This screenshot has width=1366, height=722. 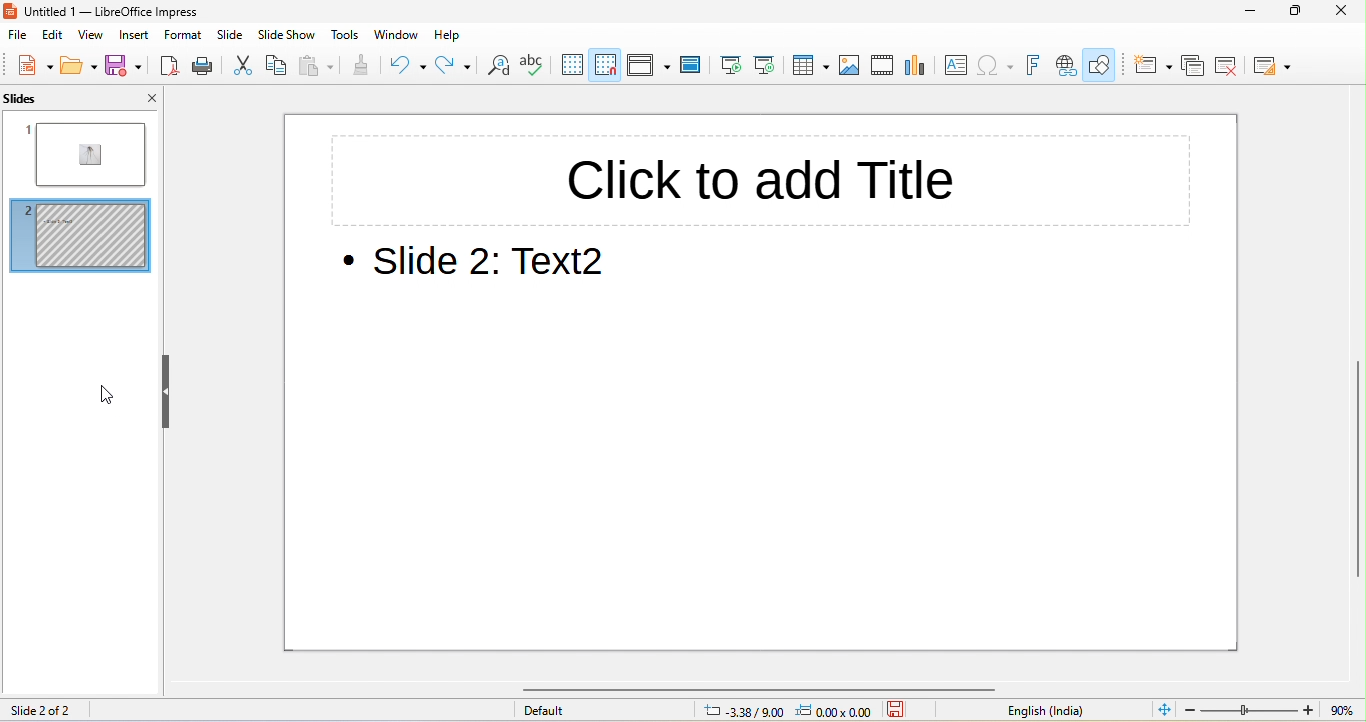 What do you see at coordinates (1150, 64) in the screenshot?
I see `new slide` at bounding box center [1150, 64].